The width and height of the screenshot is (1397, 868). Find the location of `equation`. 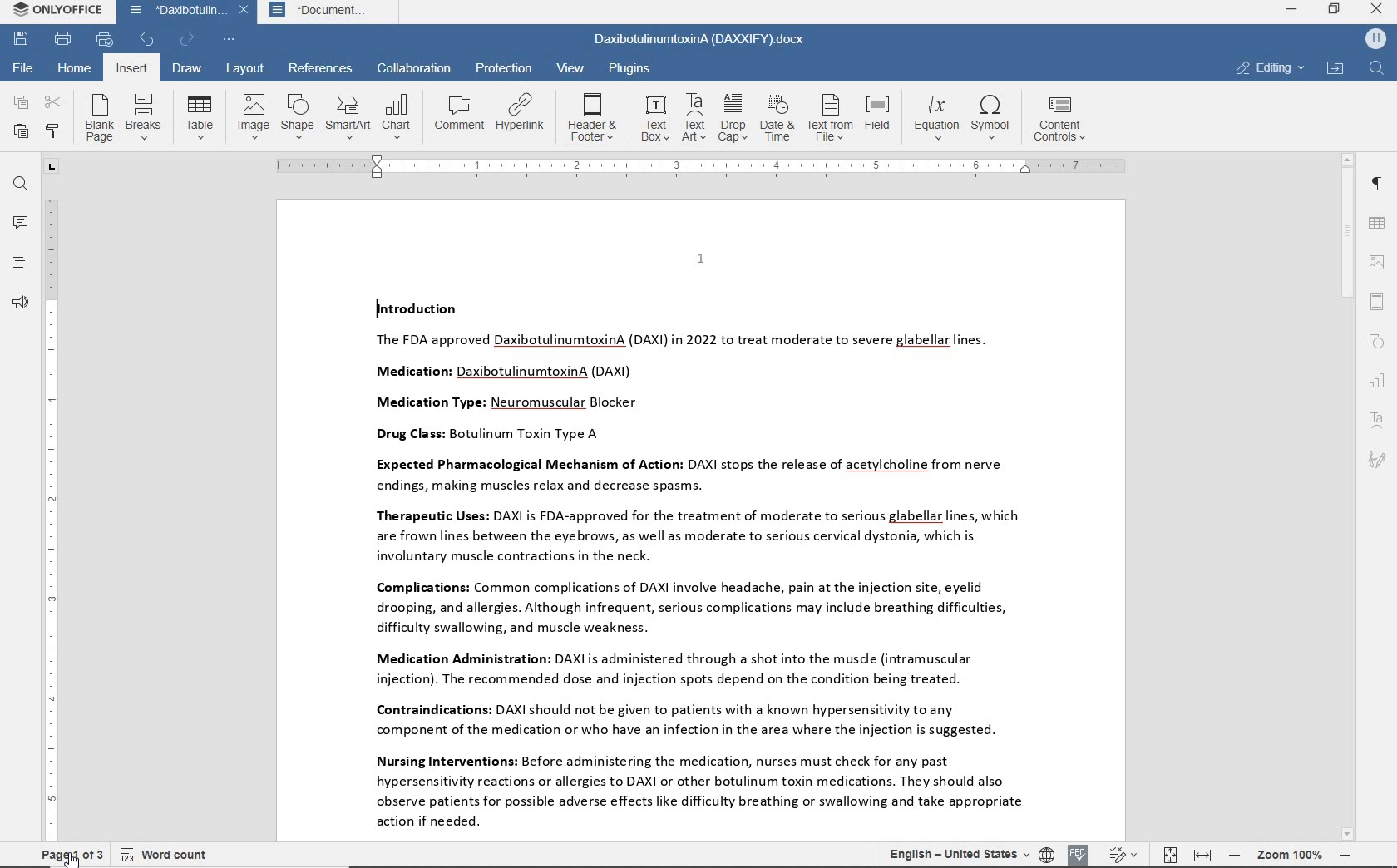

equation is located at coordinates (934, 117).